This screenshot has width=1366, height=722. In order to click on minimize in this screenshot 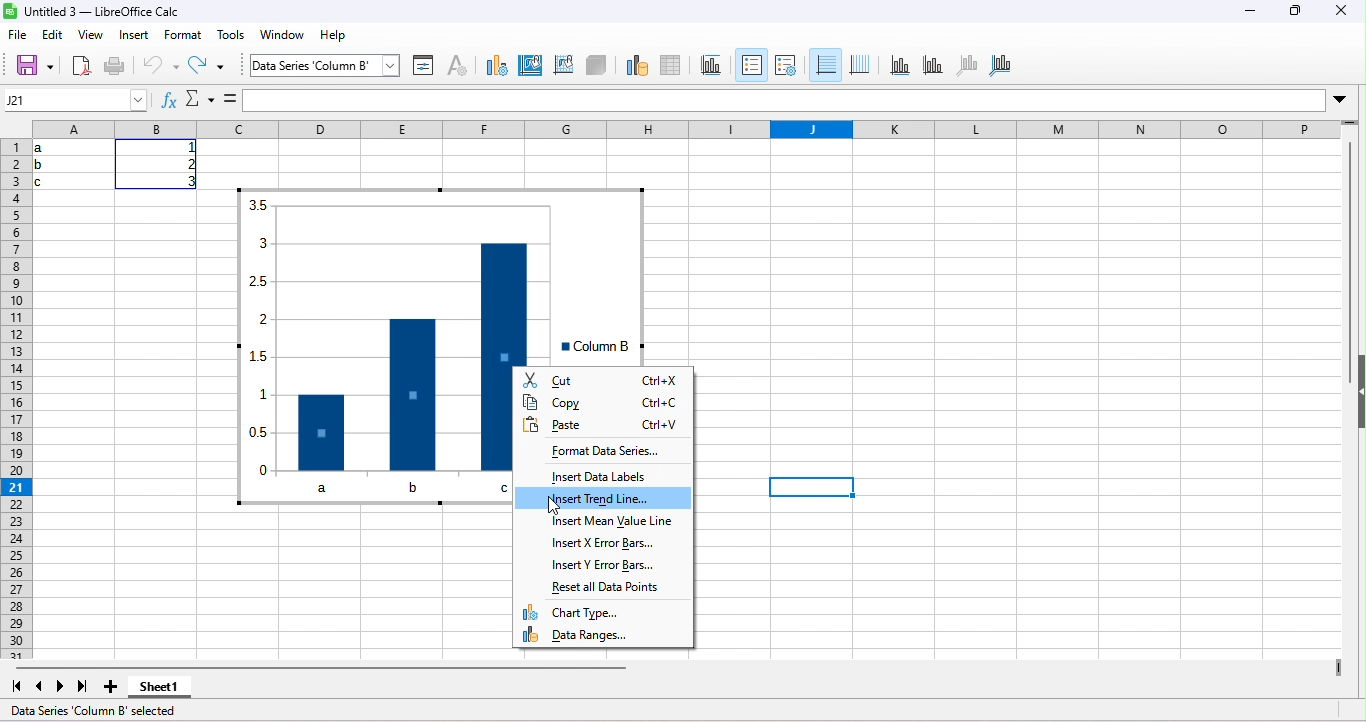, I will do `click(1244, 12)`.